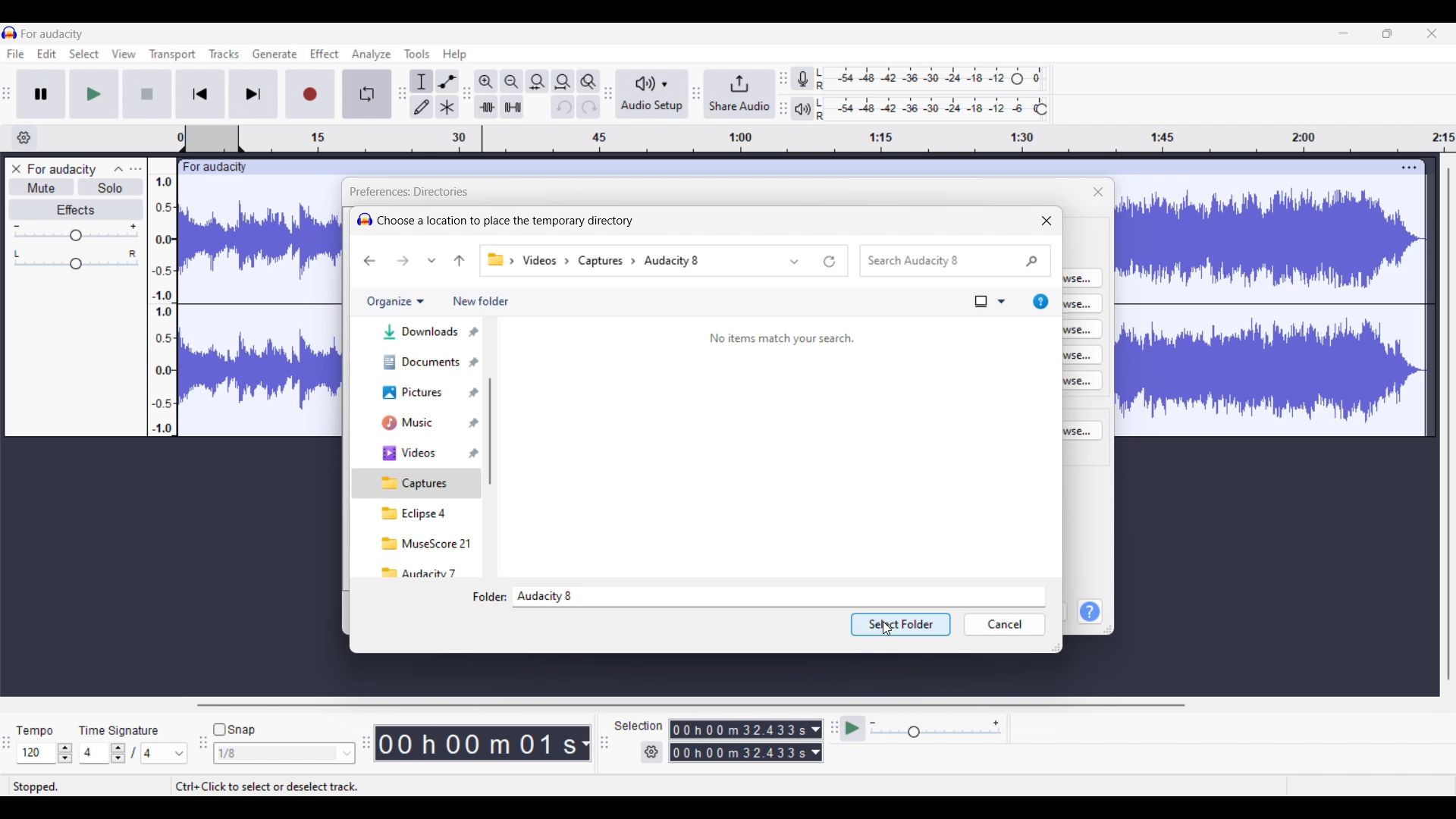 The width and height of the screenshot is (1456, 819). I want to click on Analyze menu, so click(372, 55).